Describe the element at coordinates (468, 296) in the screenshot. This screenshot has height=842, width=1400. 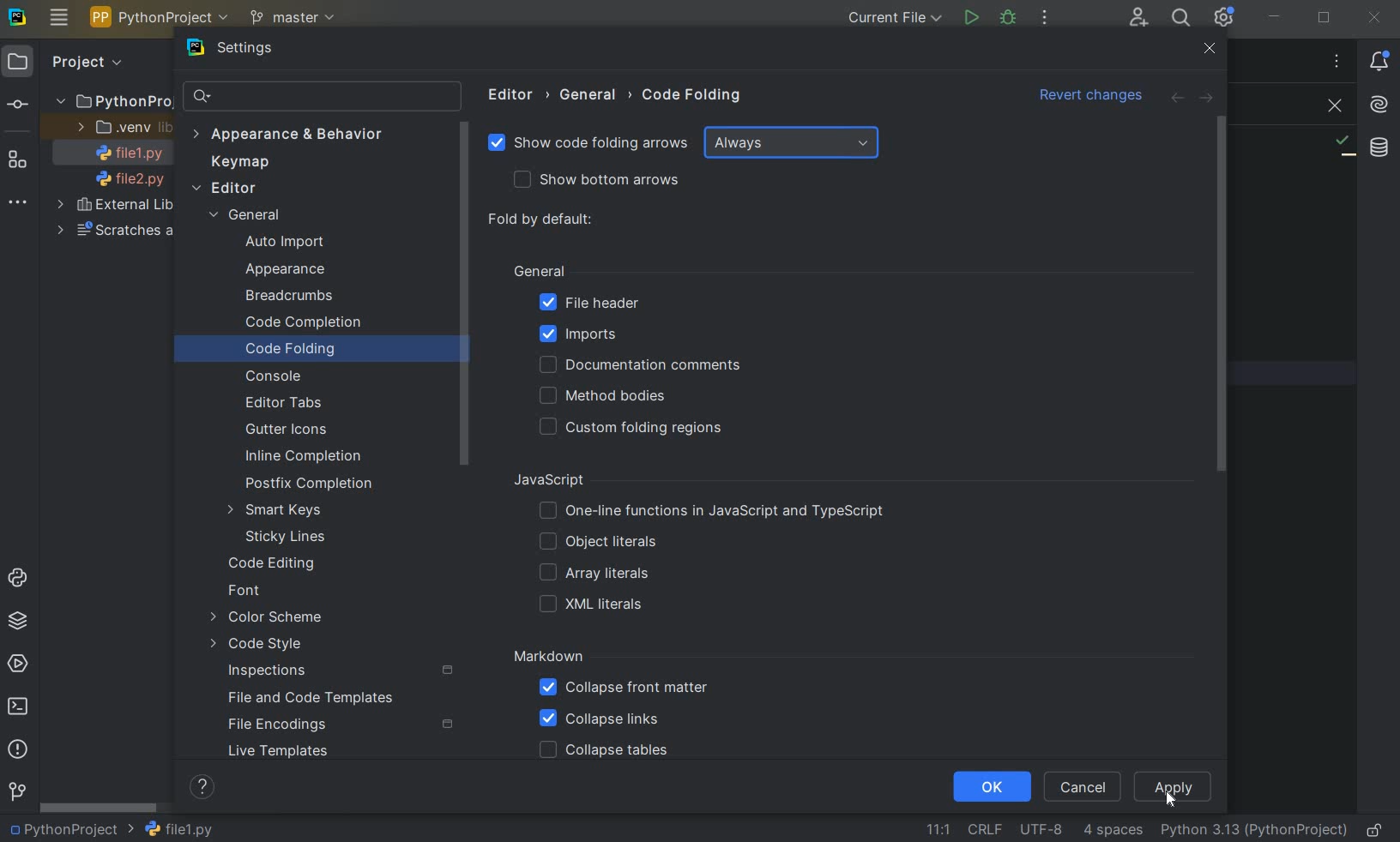
I see `SROLLBAR` at that location.